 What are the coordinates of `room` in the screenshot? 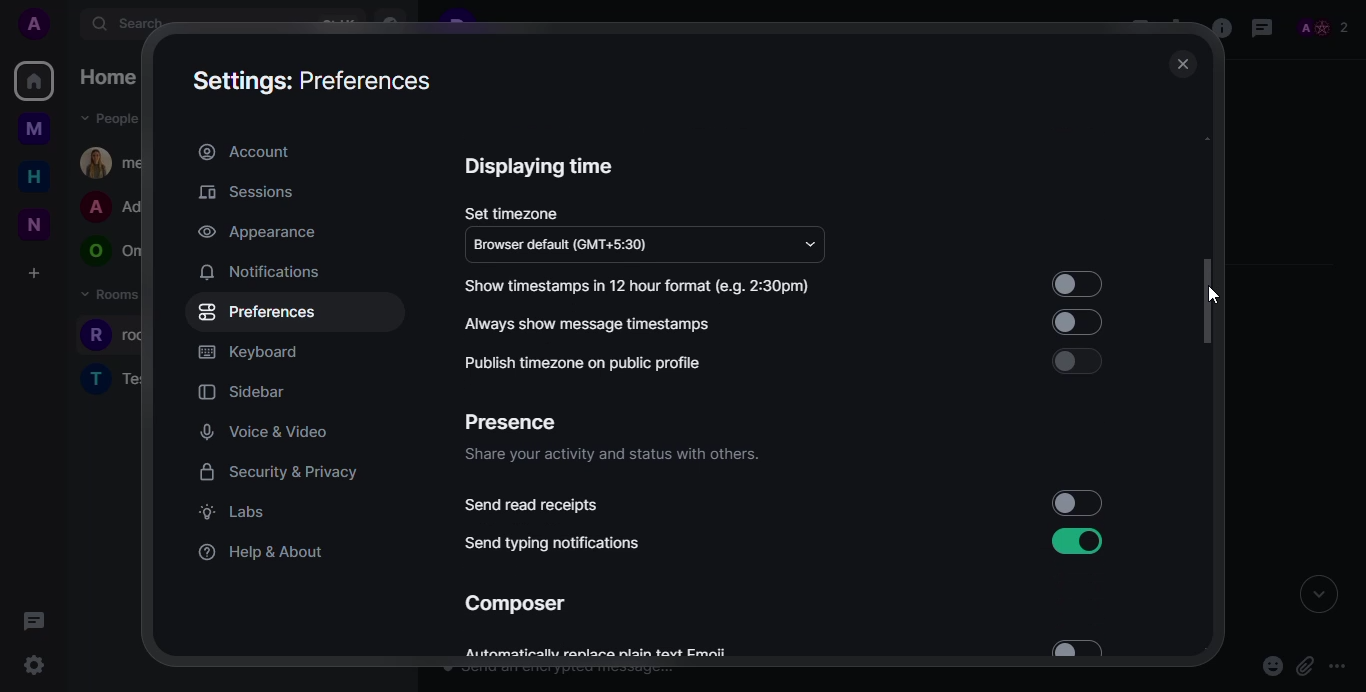 It's located at (127, 336).